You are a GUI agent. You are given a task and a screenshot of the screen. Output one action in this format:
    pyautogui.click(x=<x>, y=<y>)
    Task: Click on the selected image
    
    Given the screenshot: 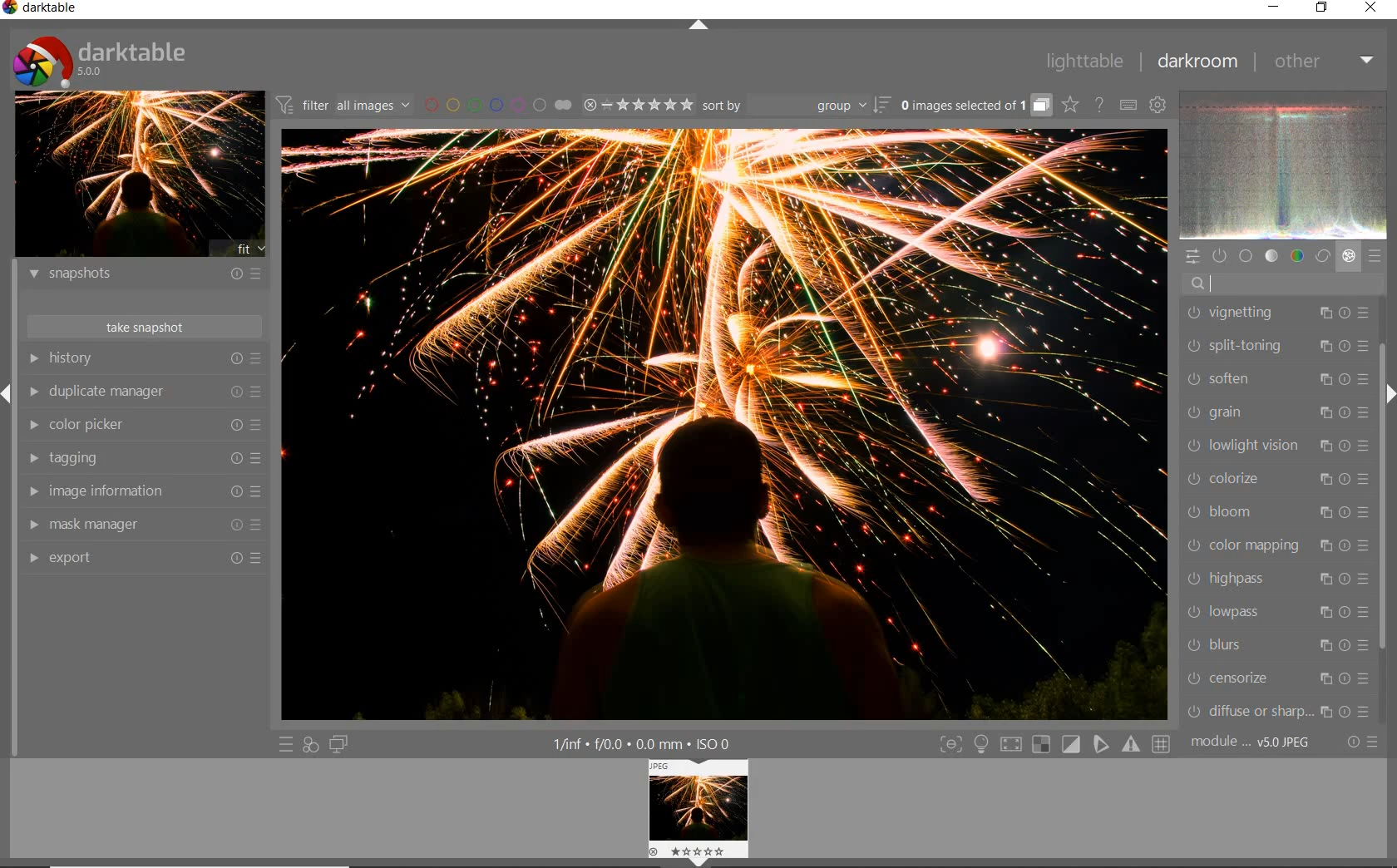 What is the action you would take?
    pyautogui.click(x=724, y=424)
    